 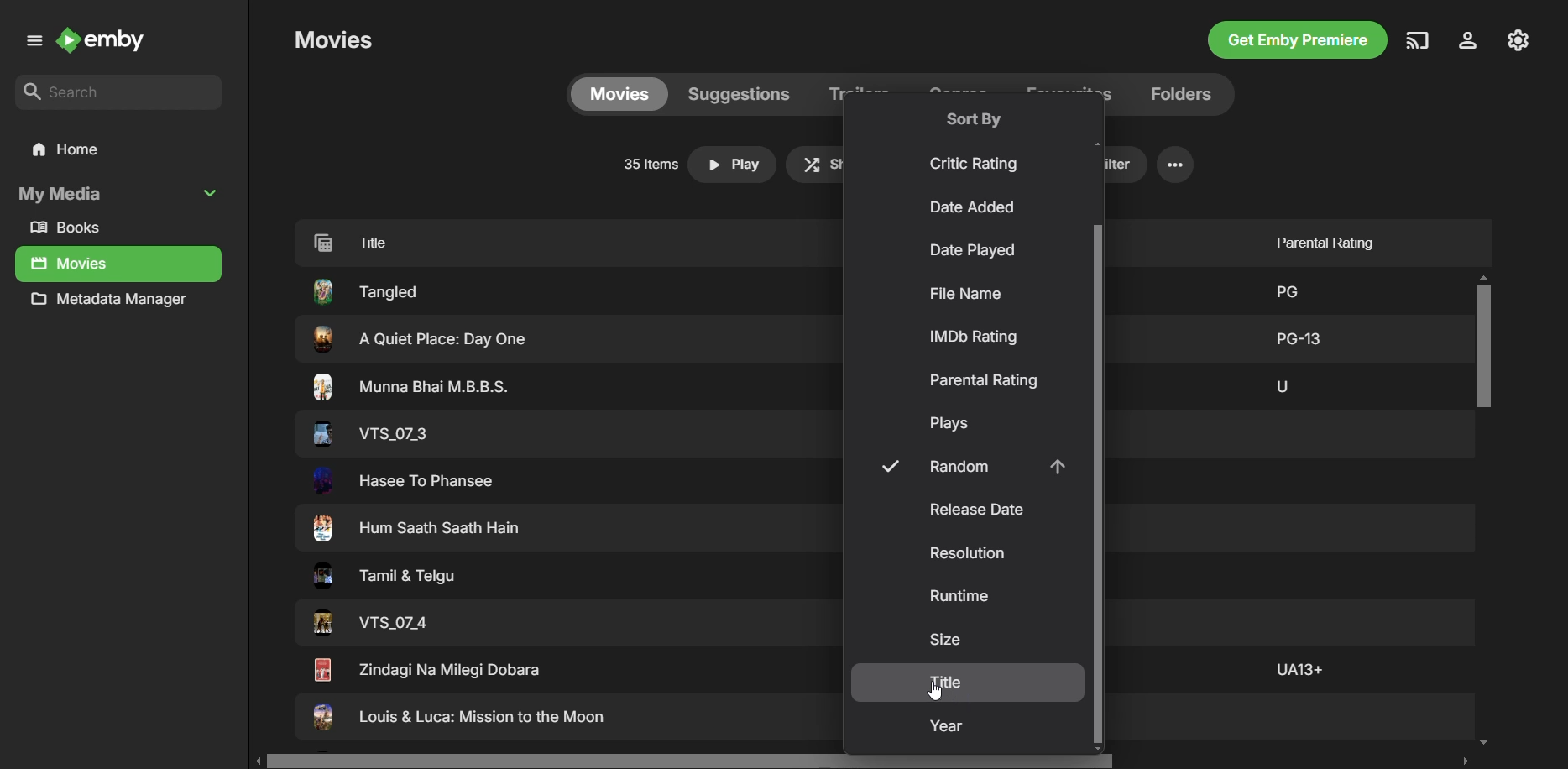 What do you see at coordinates (949, 728) in the screenshot?
I see `Year` at bounding box center [949, 728].